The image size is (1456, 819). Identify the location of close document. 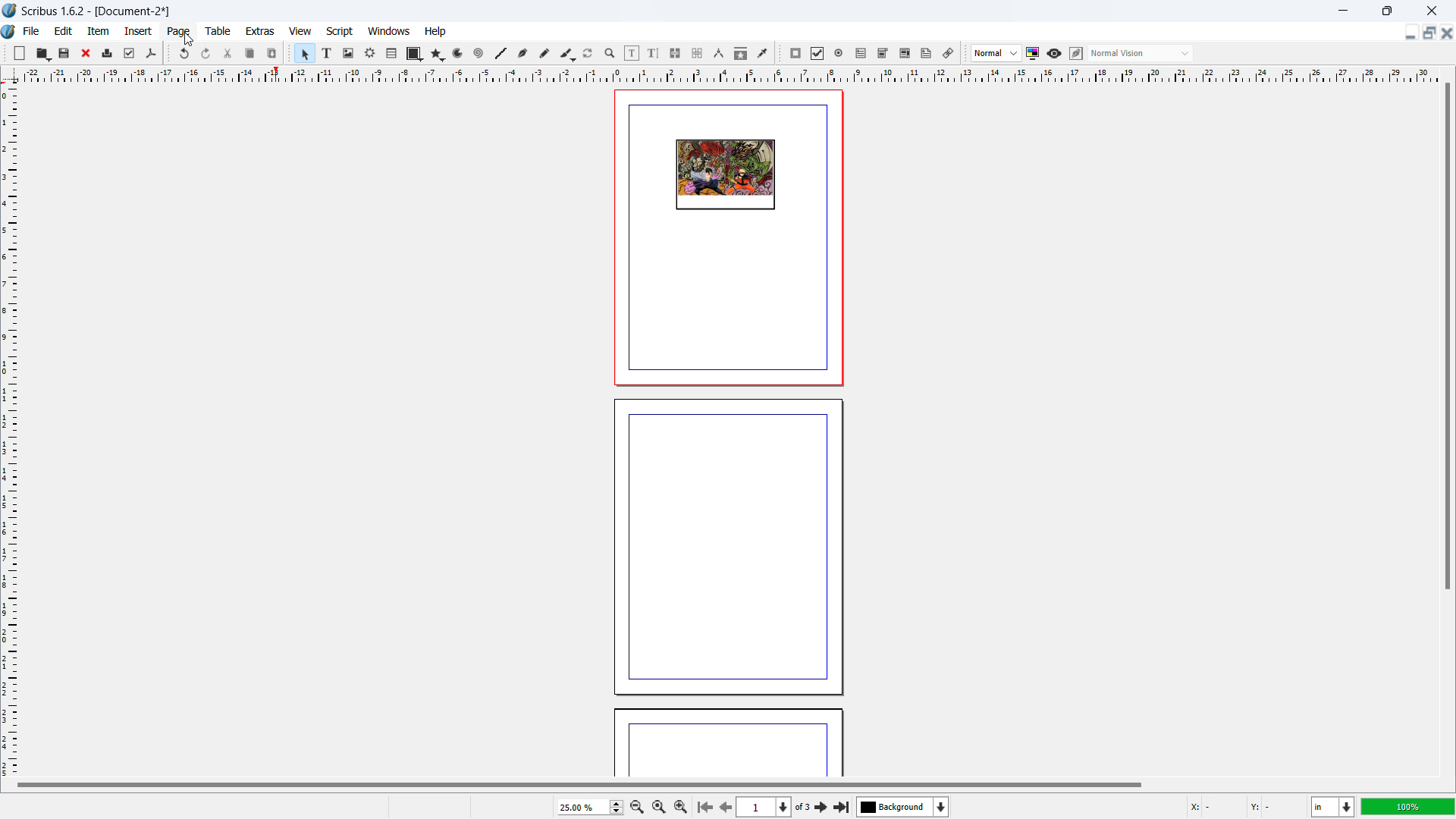
(1447, 33).